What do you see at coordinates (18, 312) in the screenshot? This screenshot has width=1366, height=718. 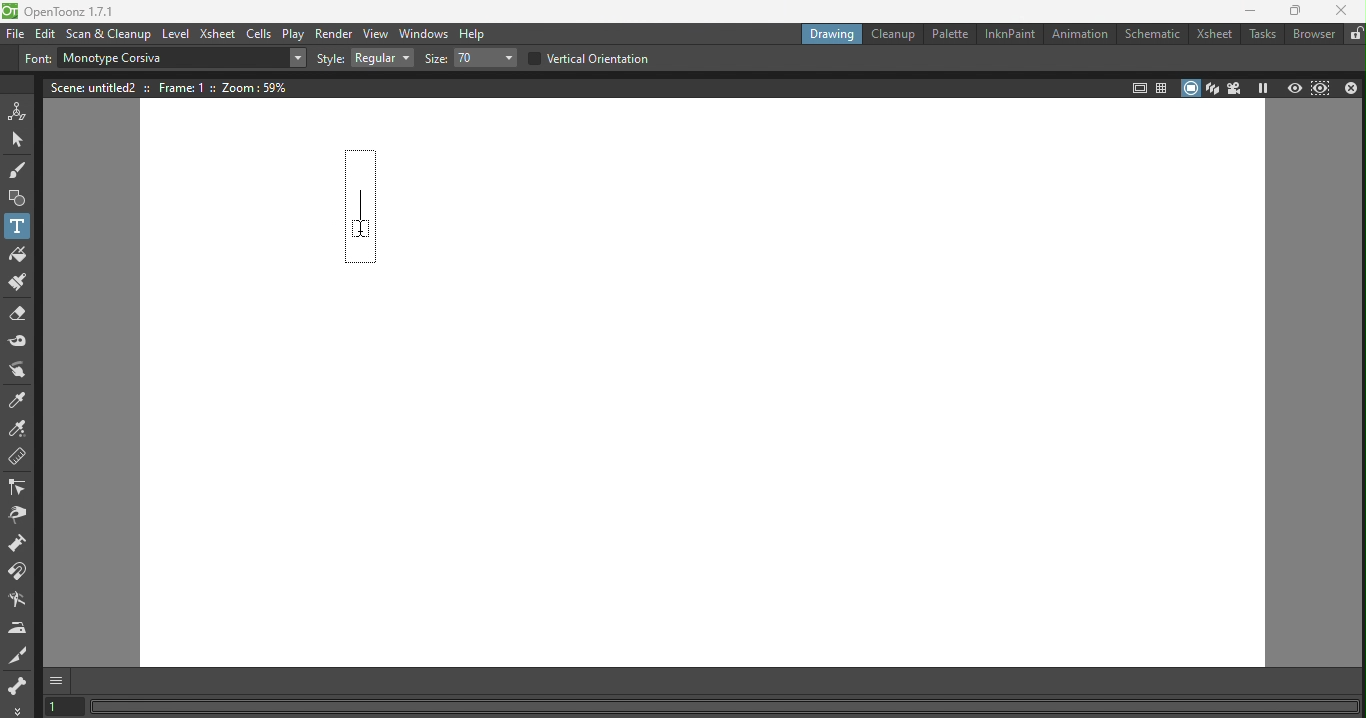 I see `Eraser tool` at bounding box center [18, 312].